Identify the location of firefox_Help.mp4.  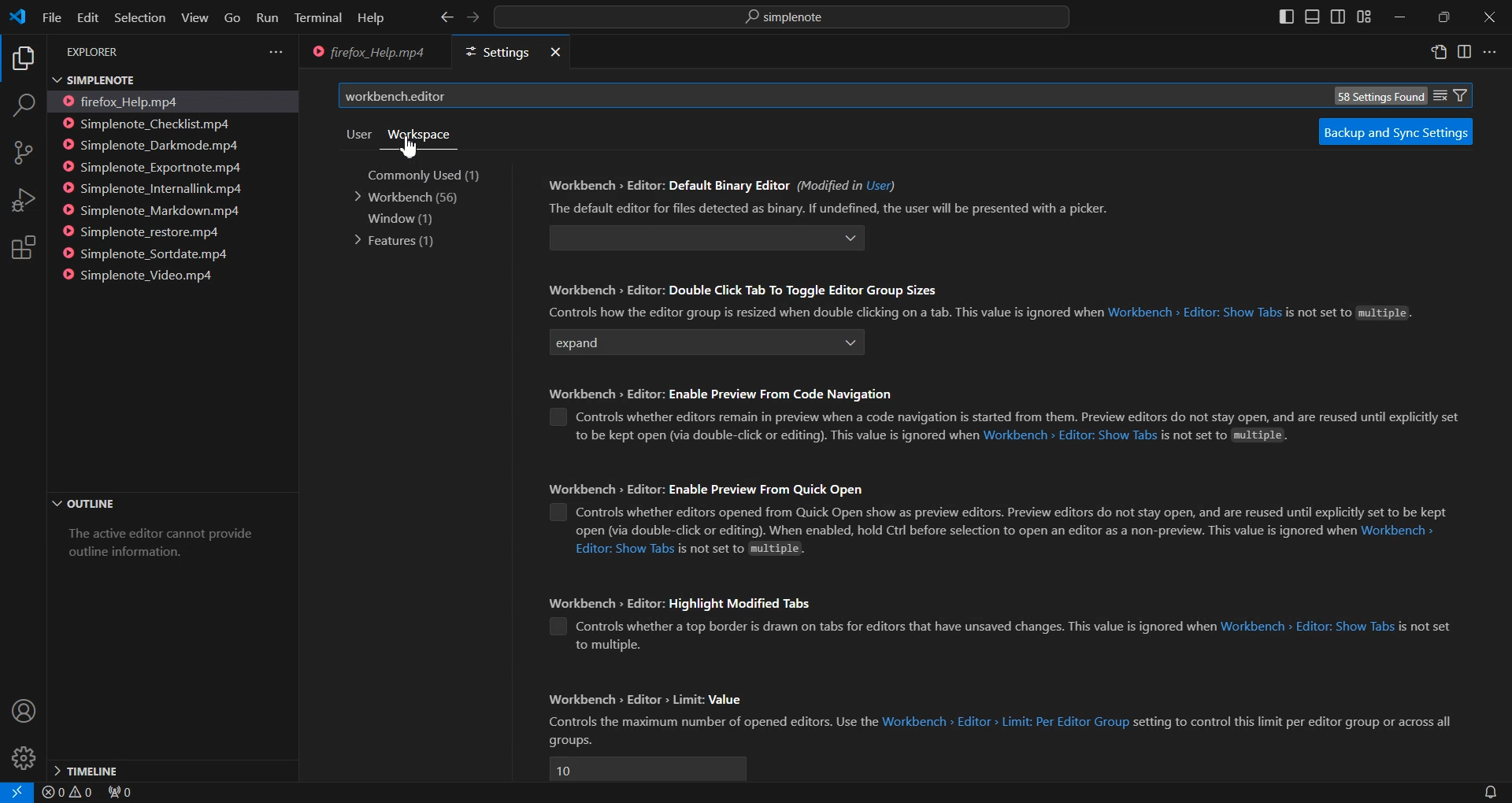
(367, 54).